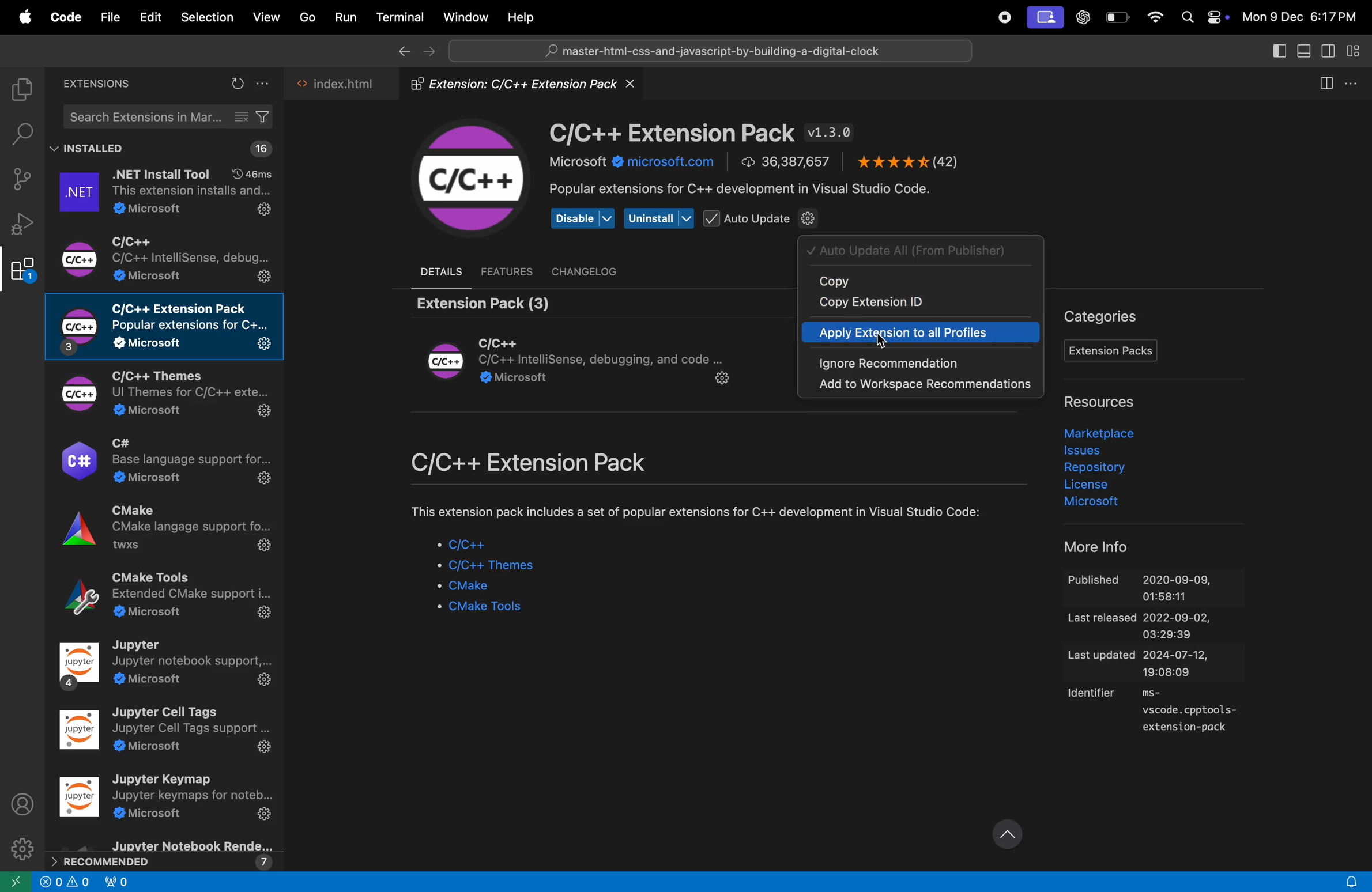  Describe the element at coordinates (1098, 485) in the screenshot. I see `liscence` at that location.